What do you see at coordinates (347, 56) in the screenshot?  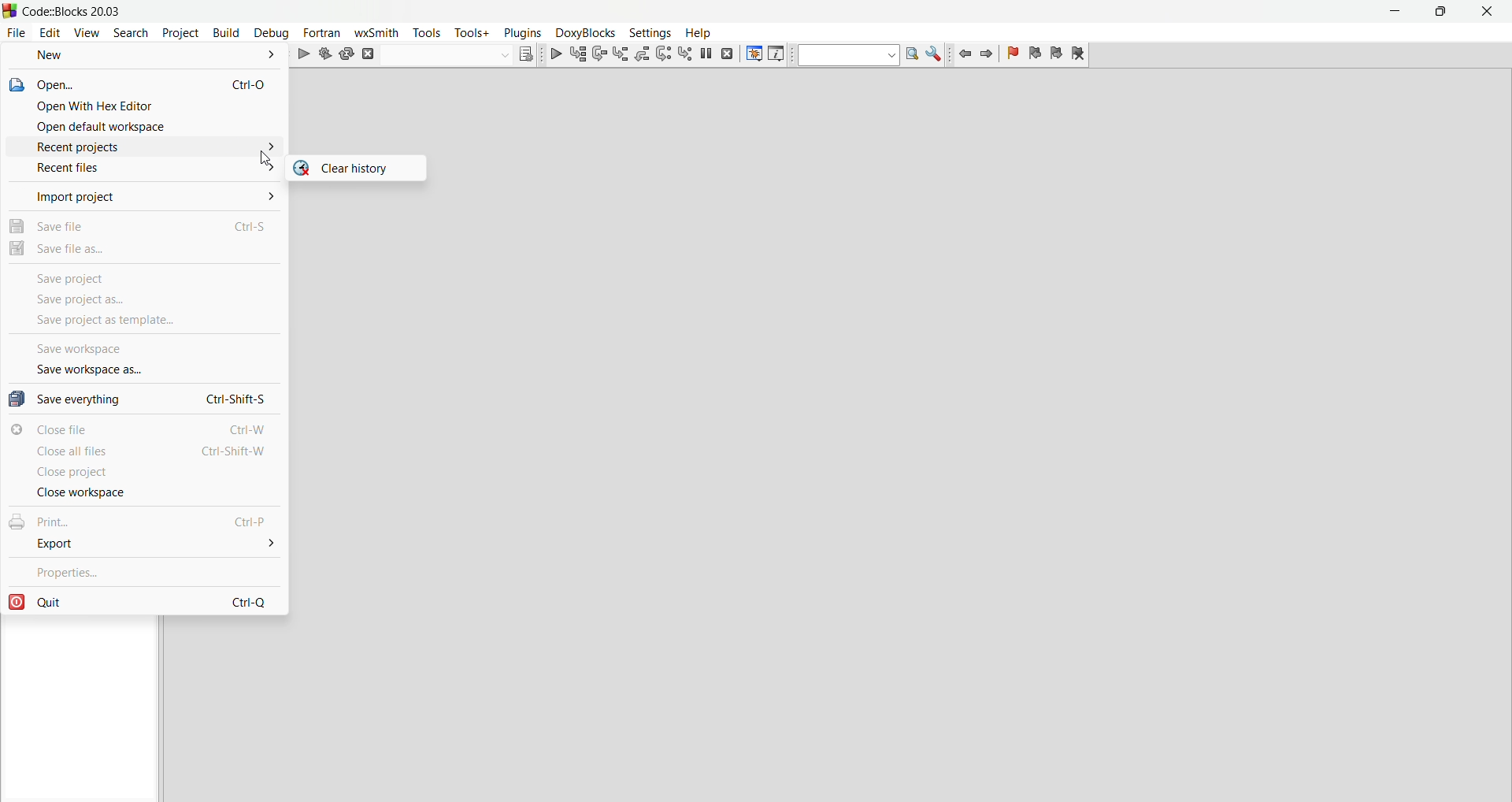 I see `rebuild` at bounding box center [347, 56].